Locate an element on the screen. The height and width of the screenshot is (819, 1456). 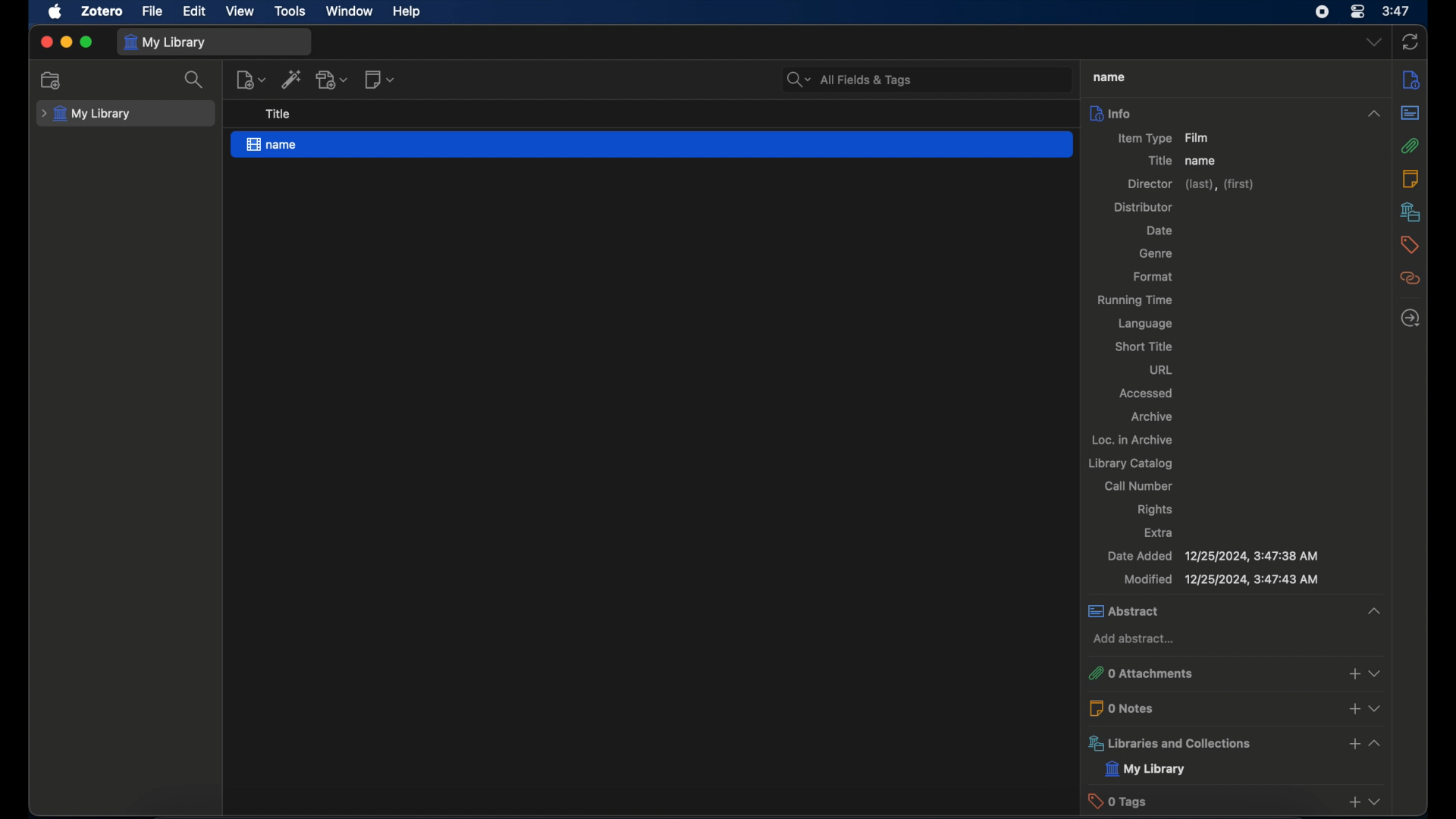
dropdown is located at coordinates (1373, 43).